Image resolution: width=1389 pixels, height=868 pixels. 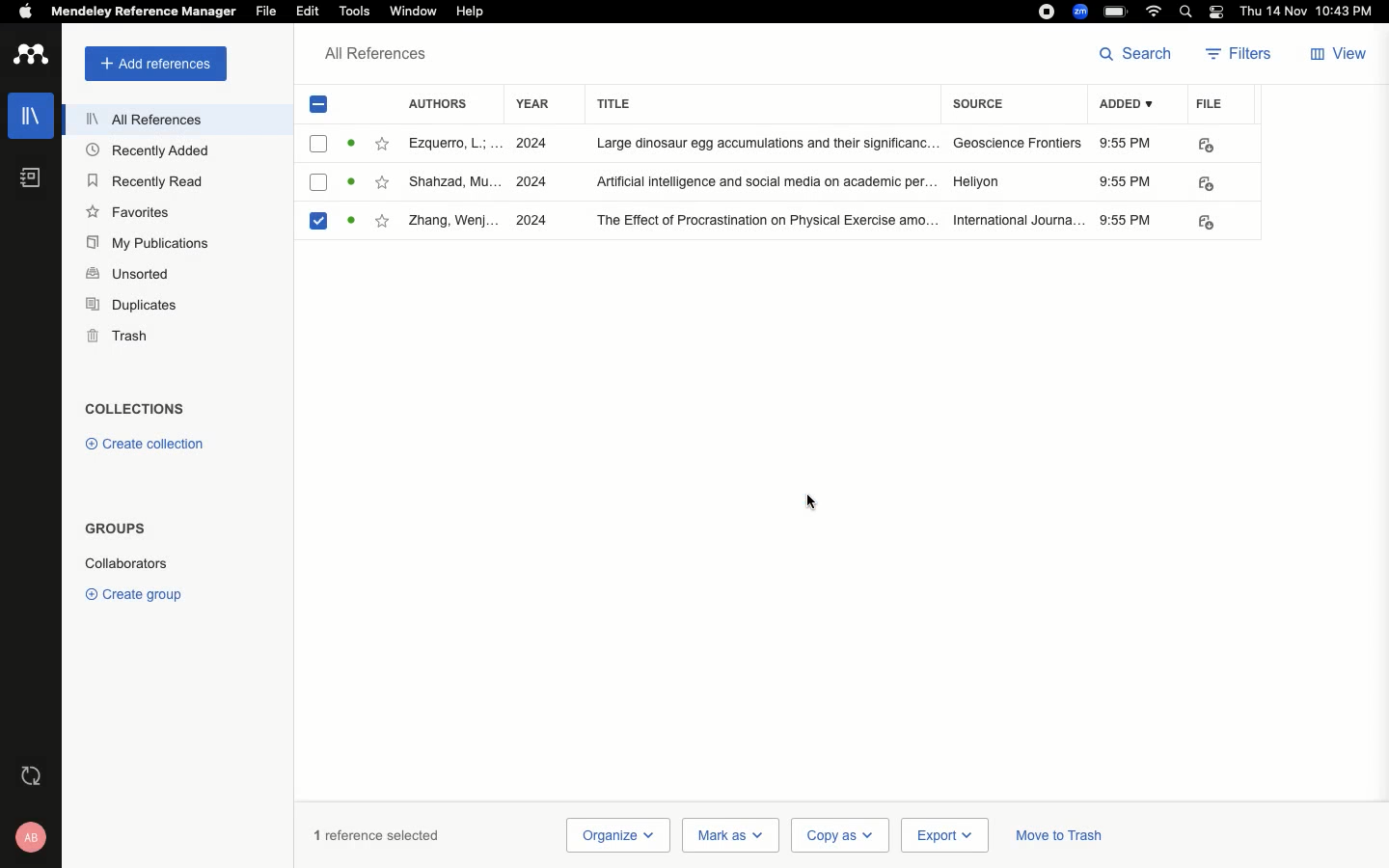 I want to click on Search, so click(x=1139, y=53).